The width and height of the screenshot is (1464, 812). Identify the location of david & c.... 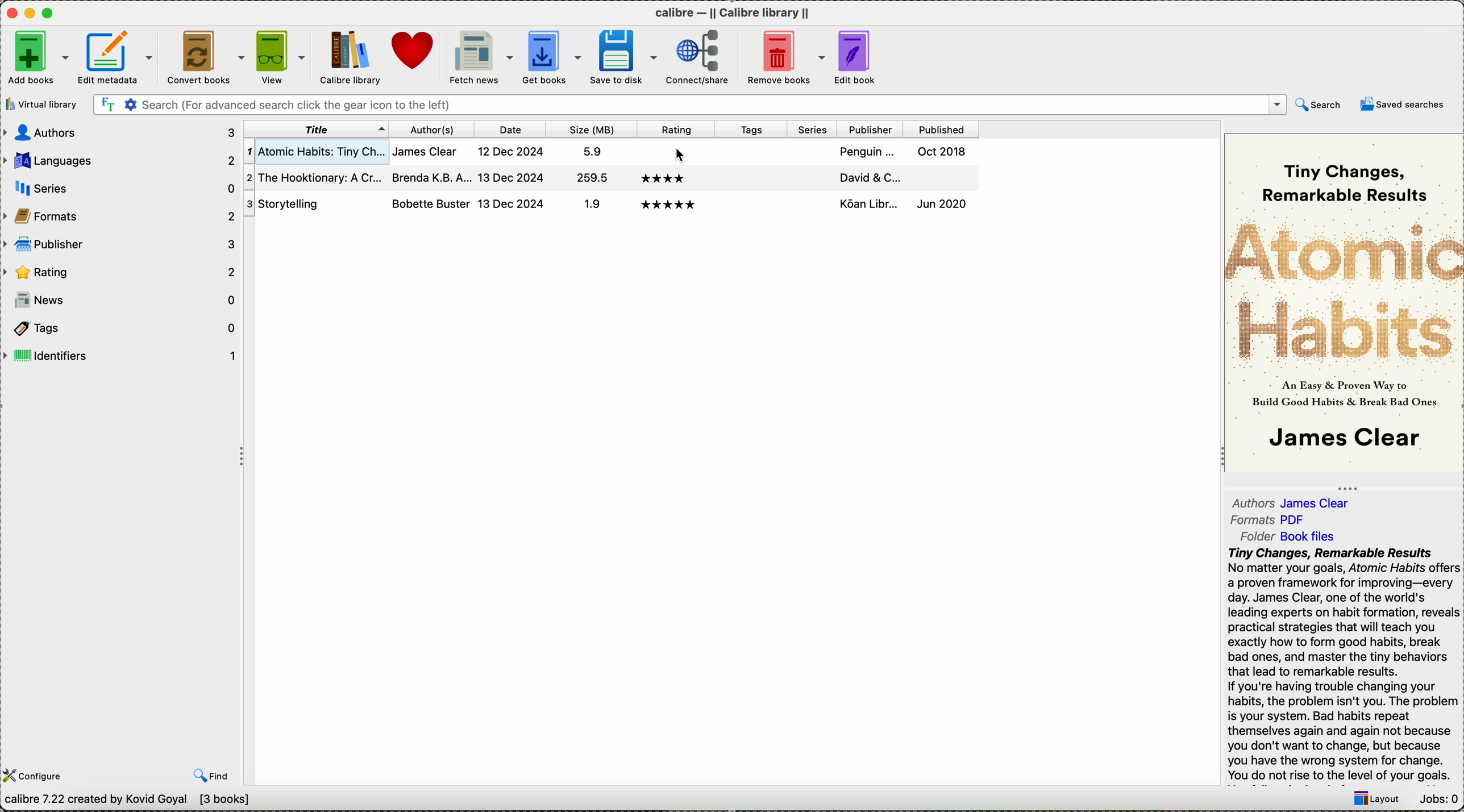
(871, 176).